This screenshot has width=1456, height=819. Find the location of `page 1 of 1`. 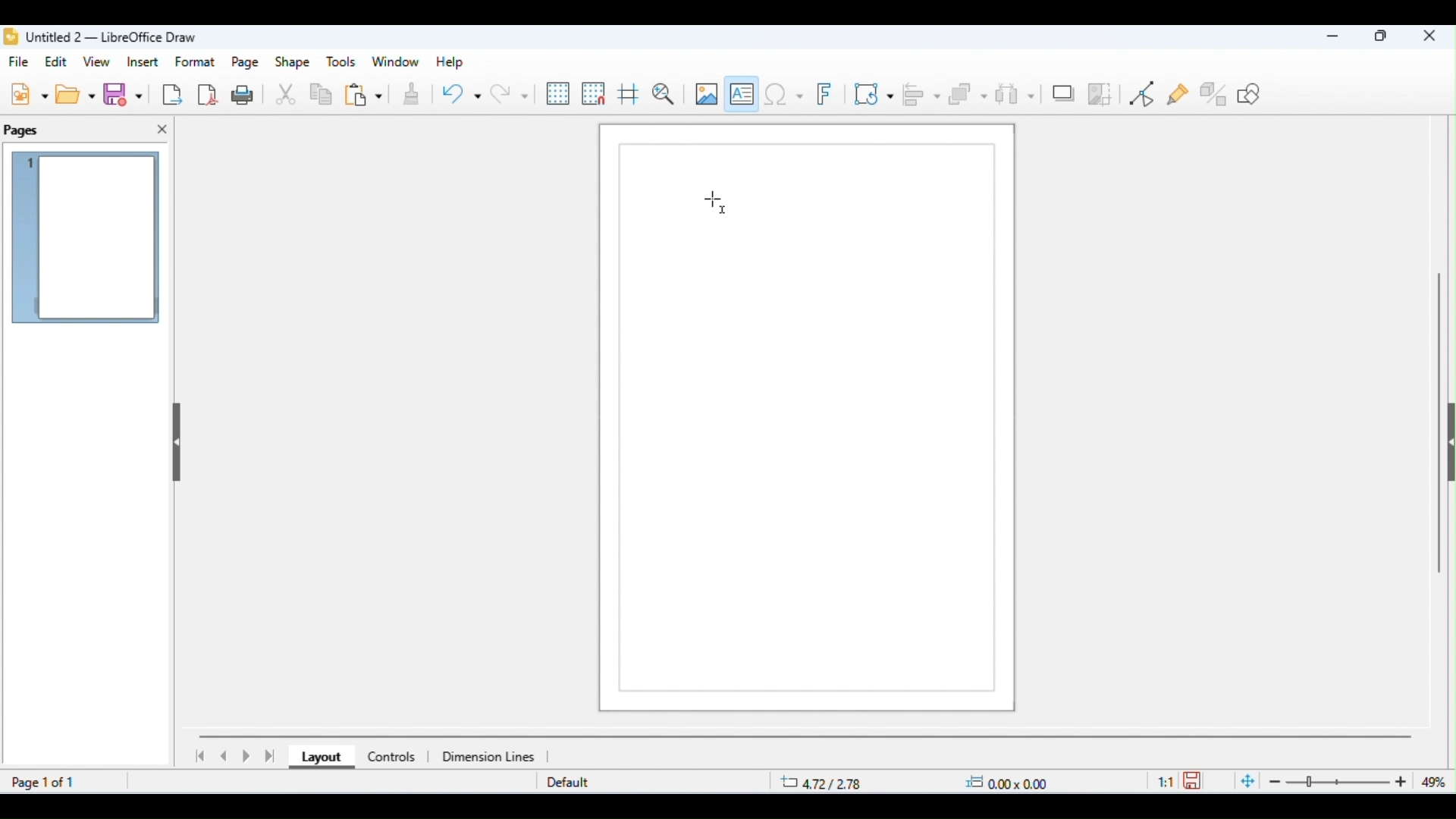

page 1 of 1 is located at coordinates (45, 782).